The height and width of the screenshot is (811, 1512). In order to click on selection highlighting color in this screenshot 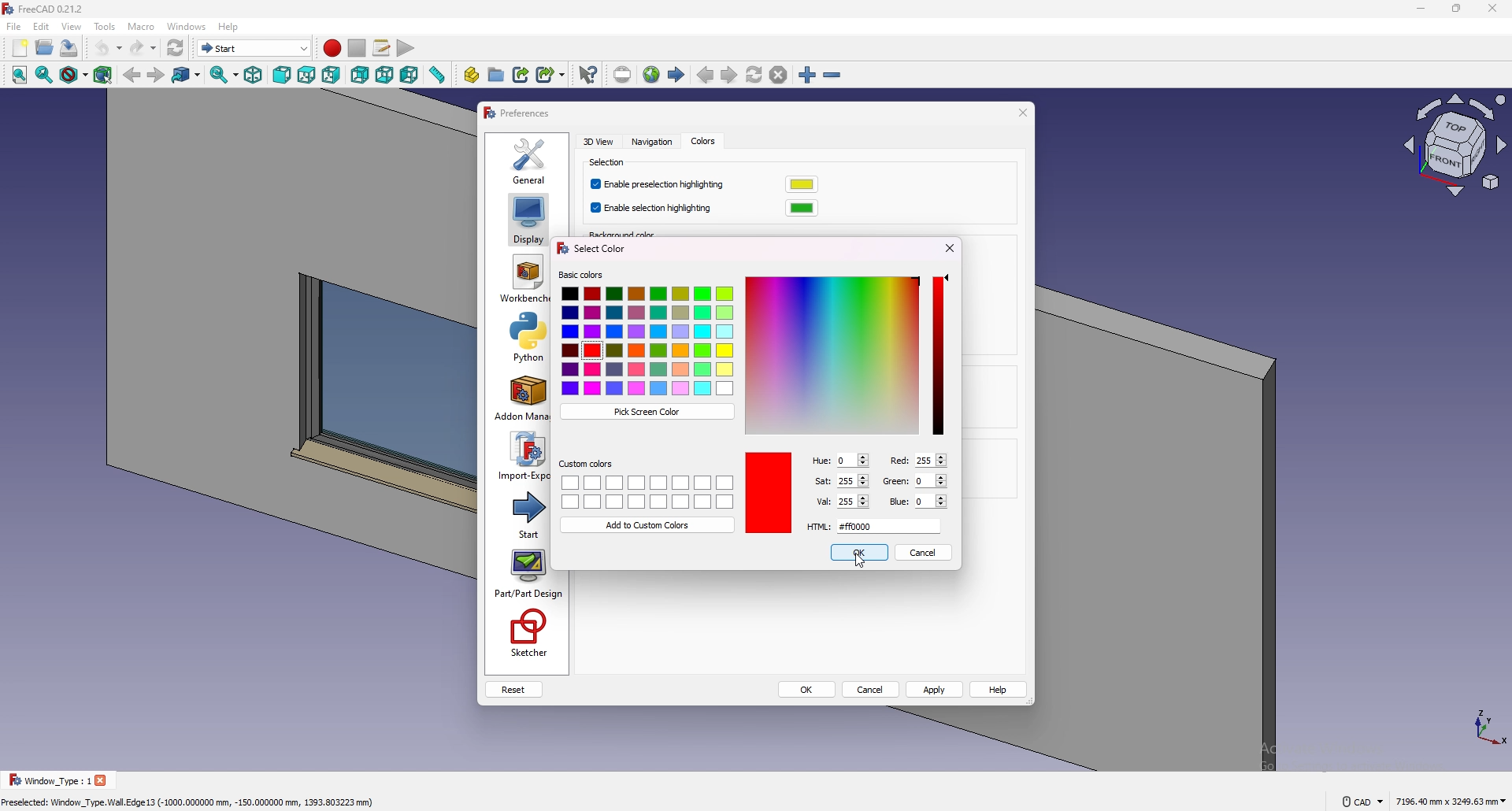, I will do `click(802, 208)`.